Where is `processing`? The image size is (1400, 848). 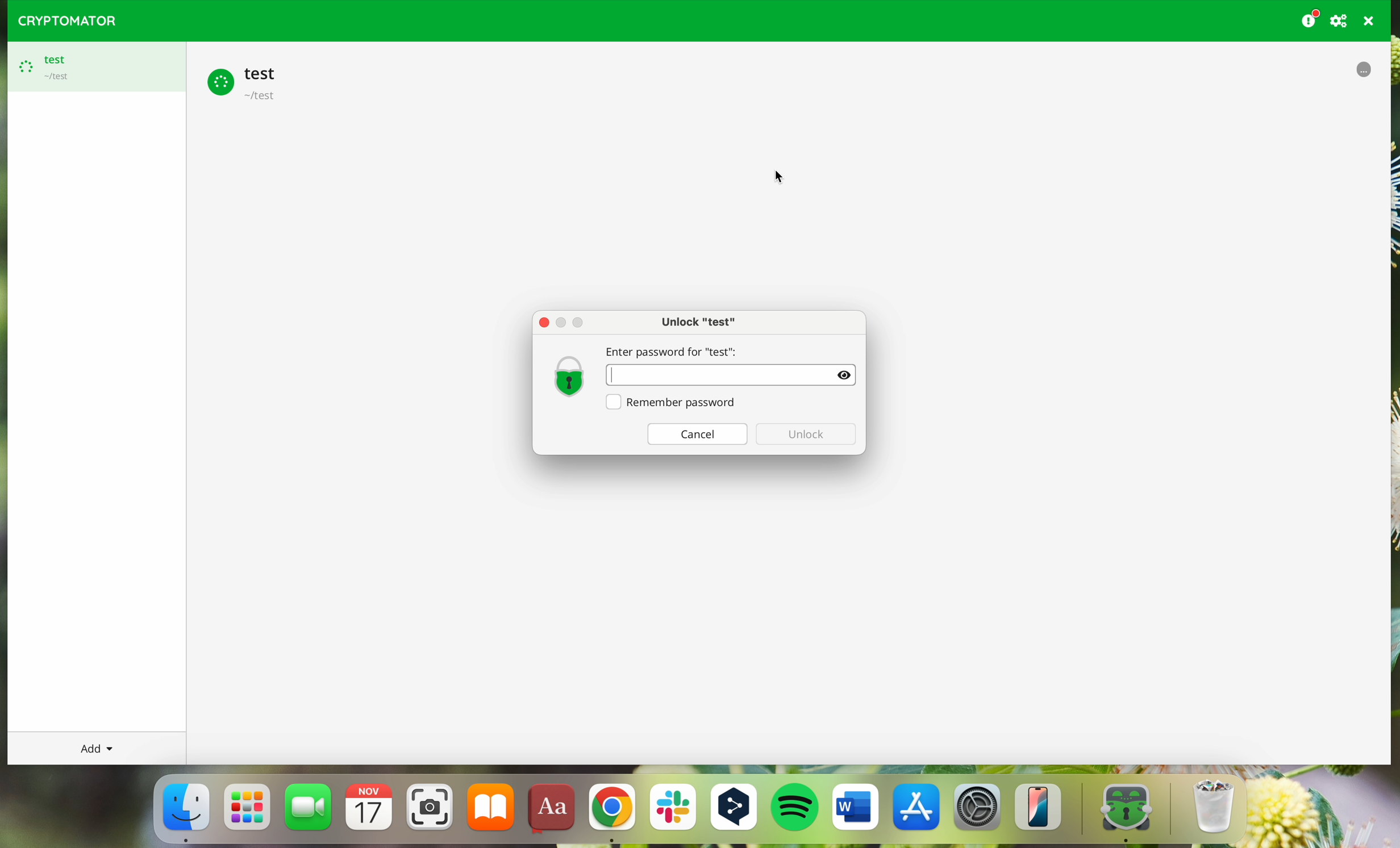
processing is located at coordinates (1363, 69).